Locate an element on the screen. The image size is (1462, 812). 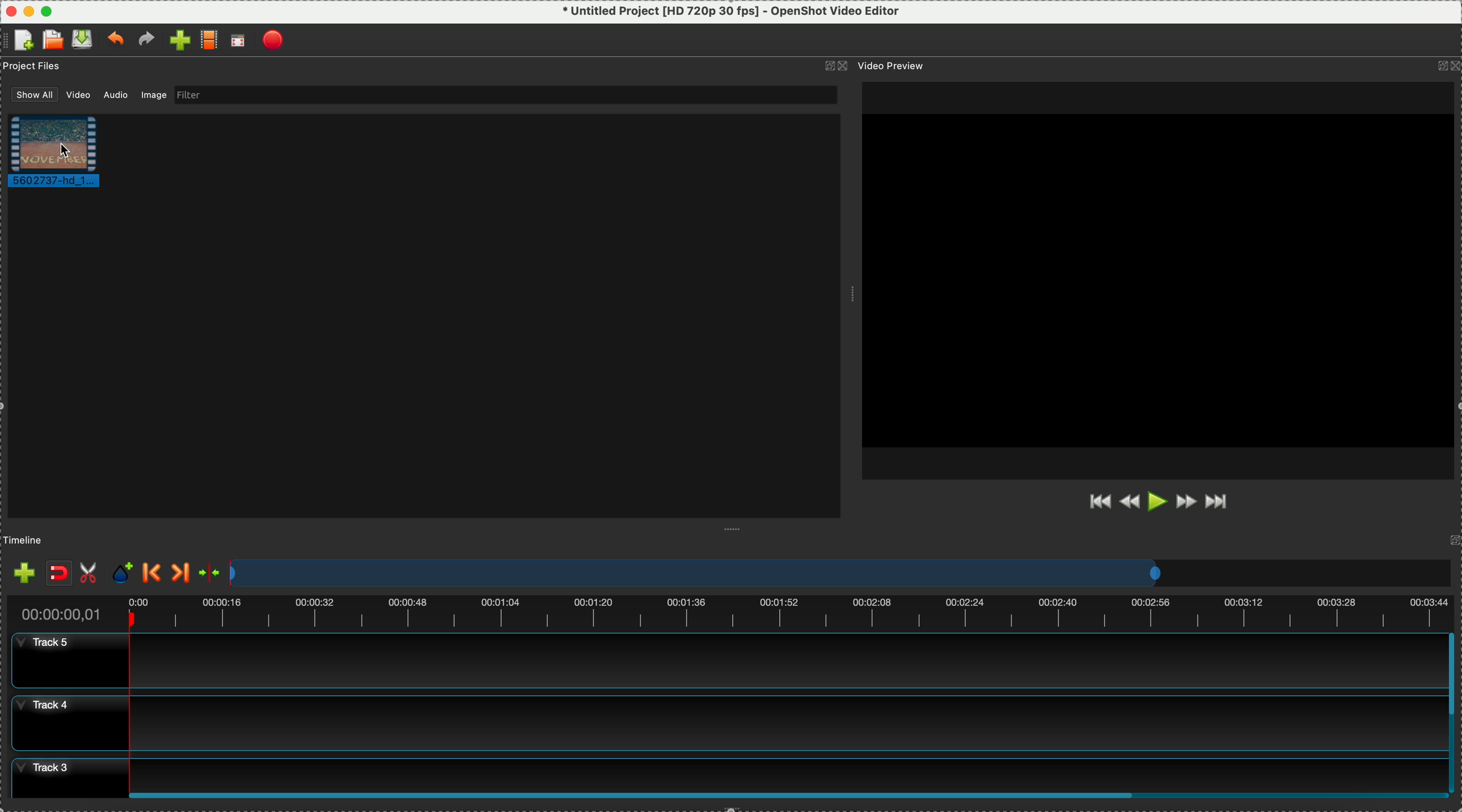
play is located at coordinates (1158, 502).